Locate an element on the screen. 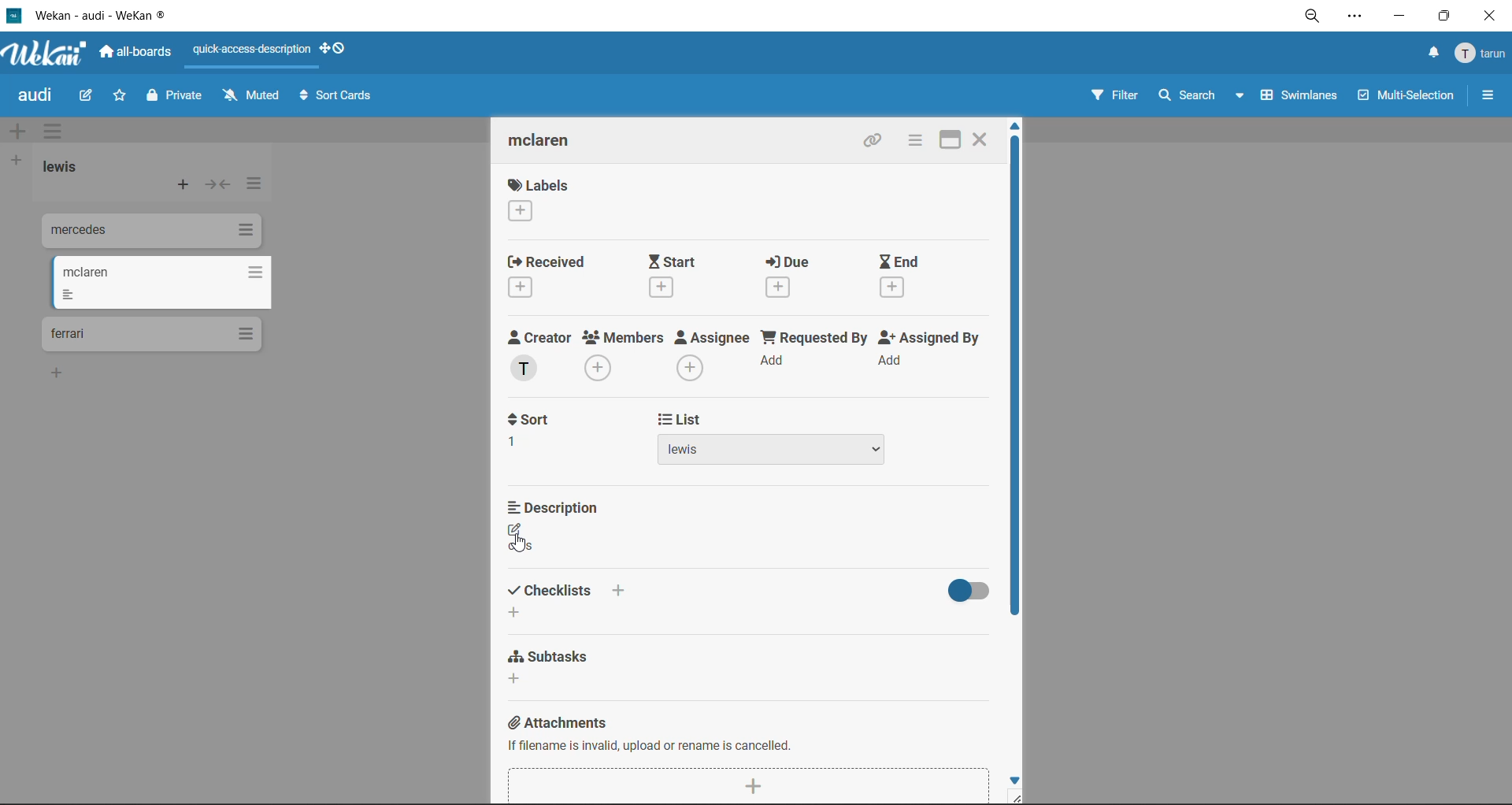  muted is located at coordinates (254, 95).